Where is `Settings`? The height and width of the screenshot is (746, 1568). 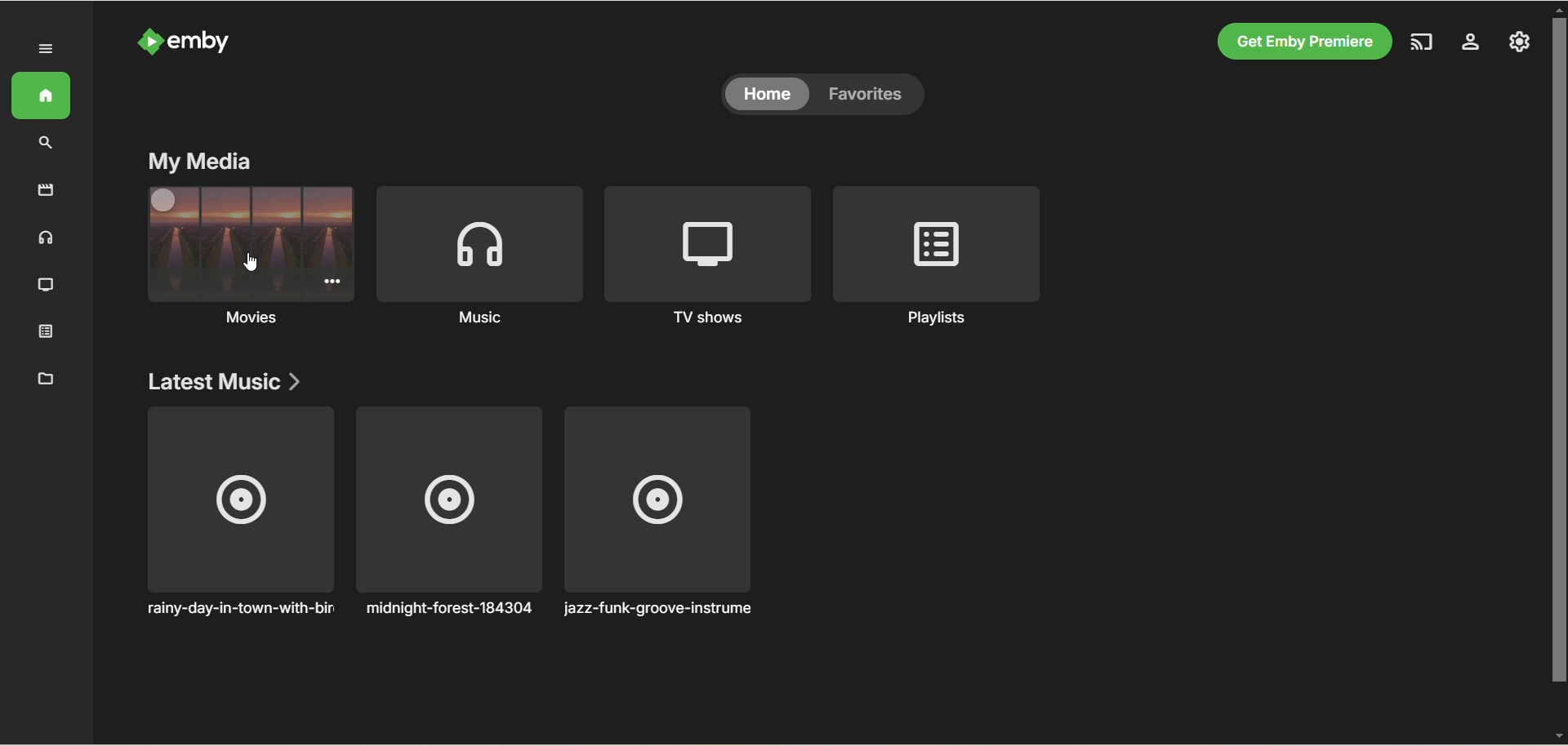 Settings is located at coordinates (332, 281).